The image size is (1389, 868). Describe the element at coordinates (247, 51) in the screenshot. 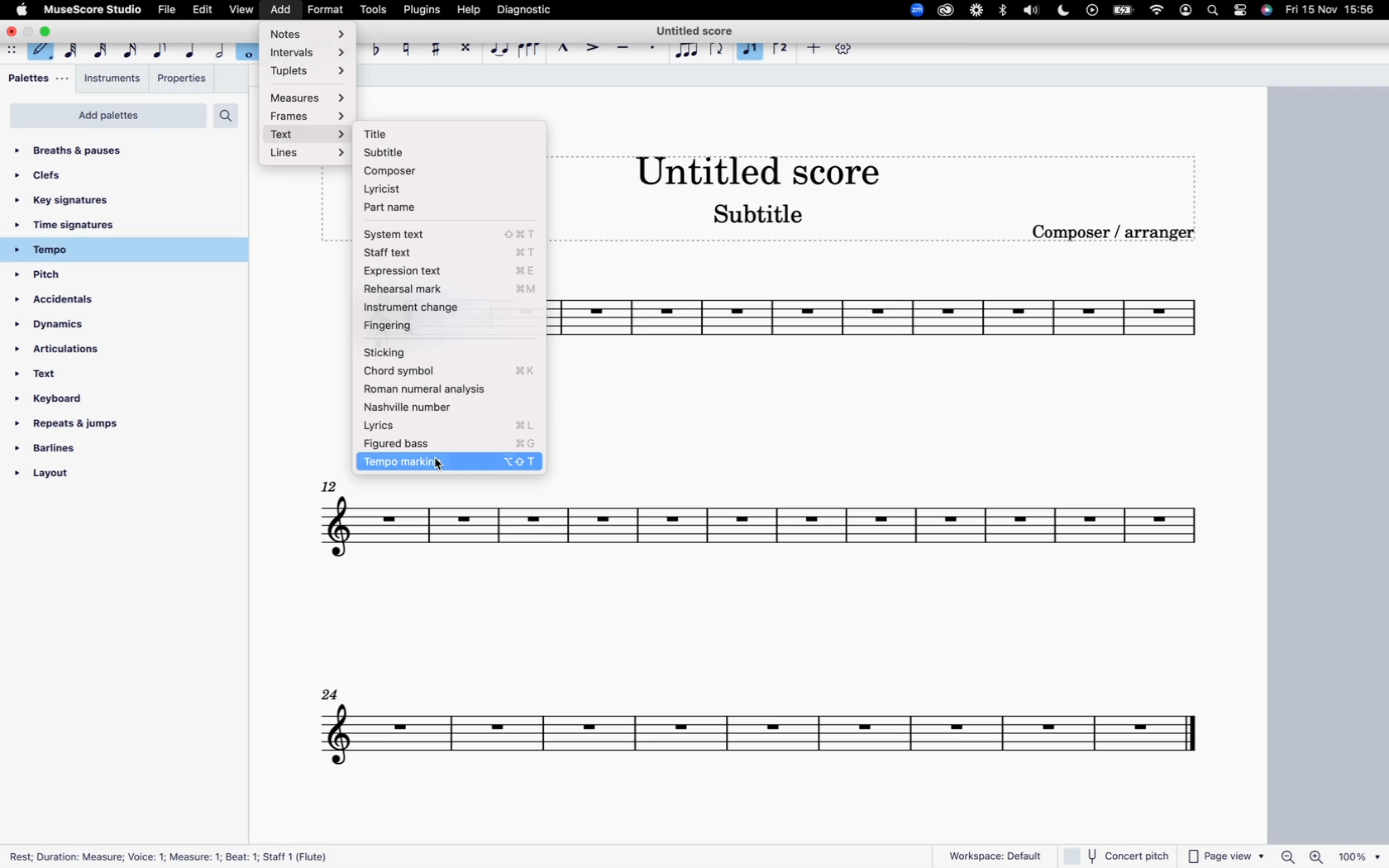

I see `full note` at that location.